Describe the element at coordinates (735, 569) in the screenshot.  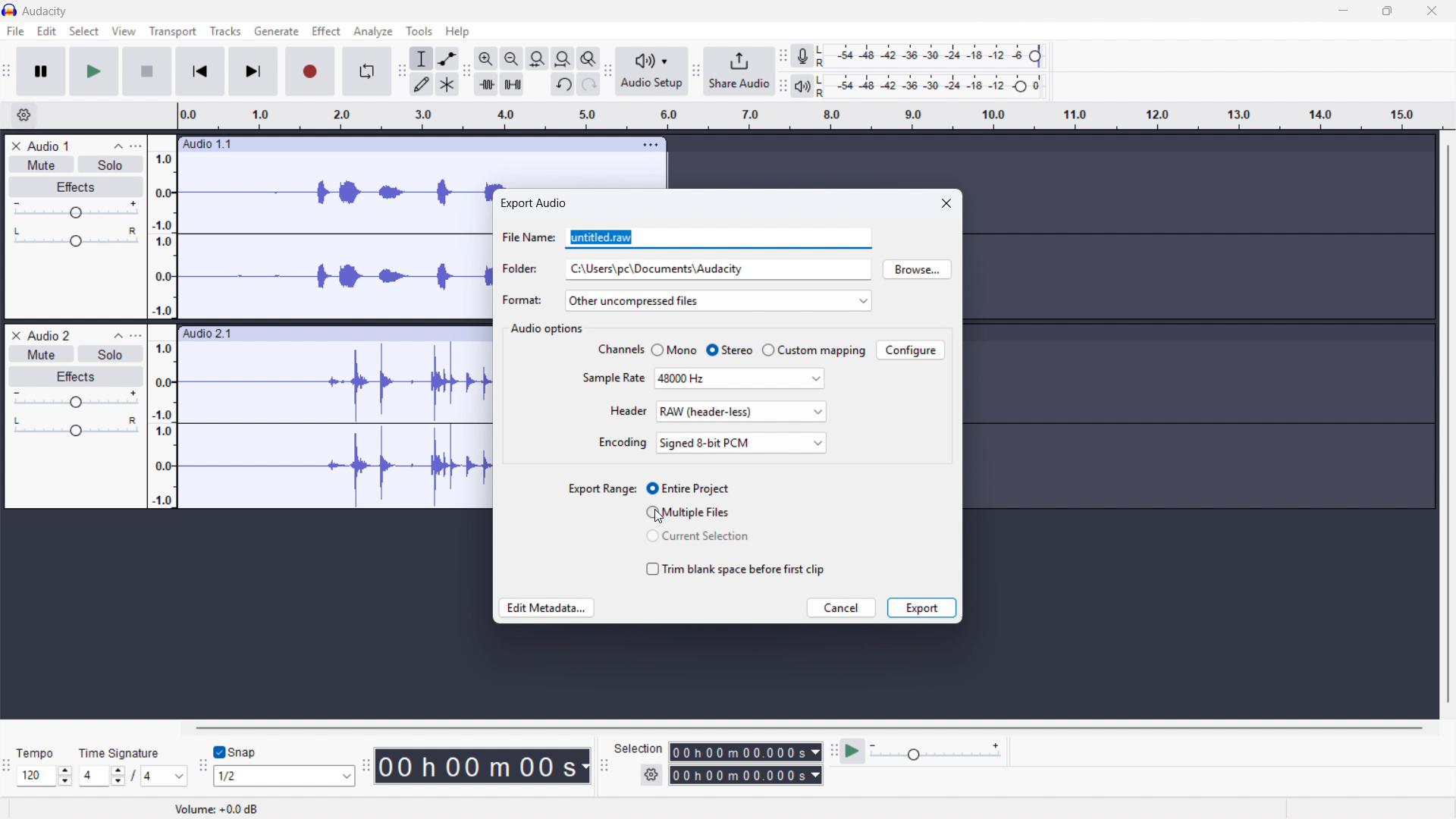
I see `Trim blank space before first clip` at that location.